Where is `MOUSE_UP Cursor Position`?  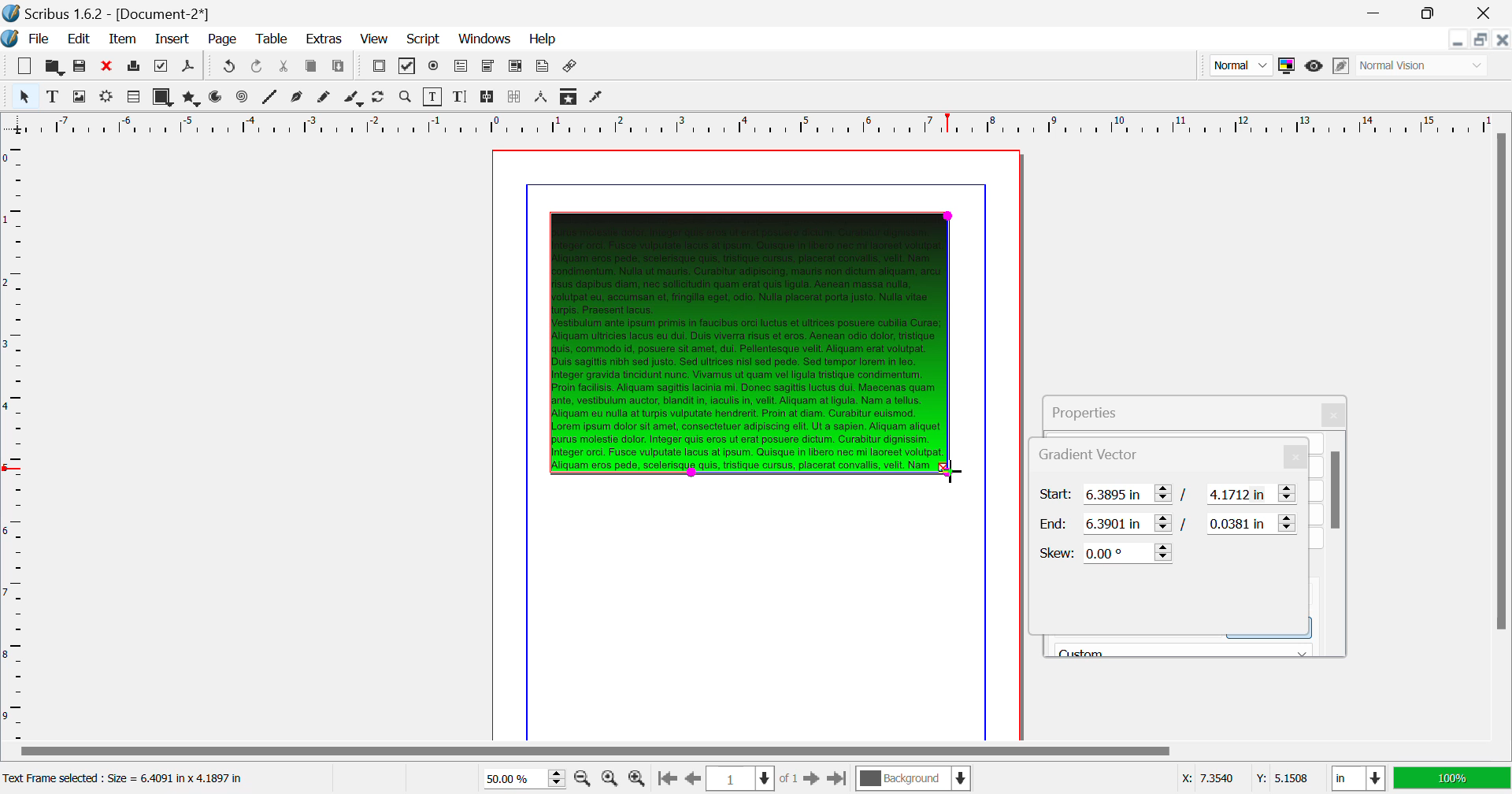 MOUSE_UP Cursor Position is located at coordinates (953, 473).